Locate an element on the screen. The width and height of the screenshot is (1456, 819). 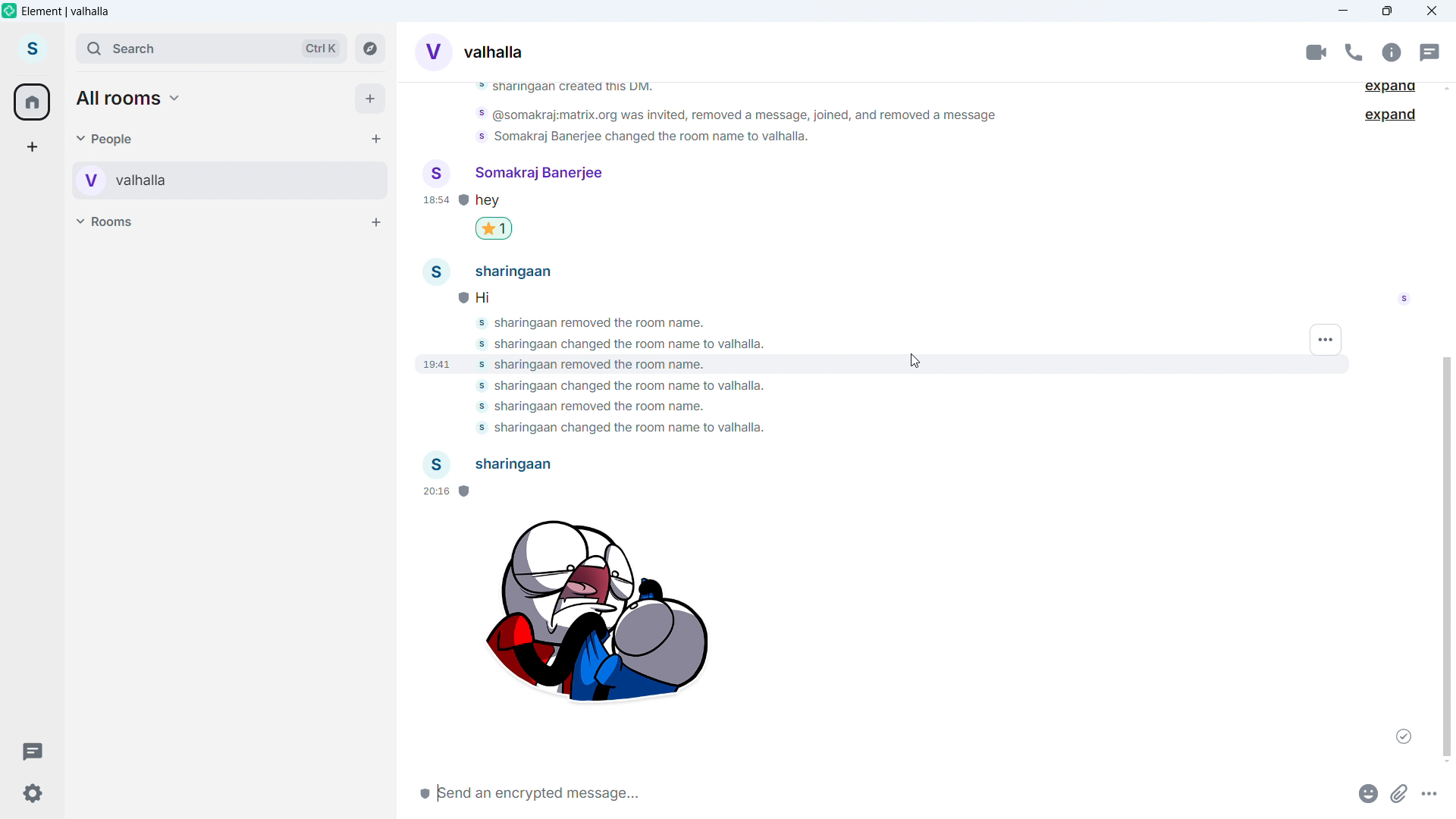
home is located at coordinates (33, 102).